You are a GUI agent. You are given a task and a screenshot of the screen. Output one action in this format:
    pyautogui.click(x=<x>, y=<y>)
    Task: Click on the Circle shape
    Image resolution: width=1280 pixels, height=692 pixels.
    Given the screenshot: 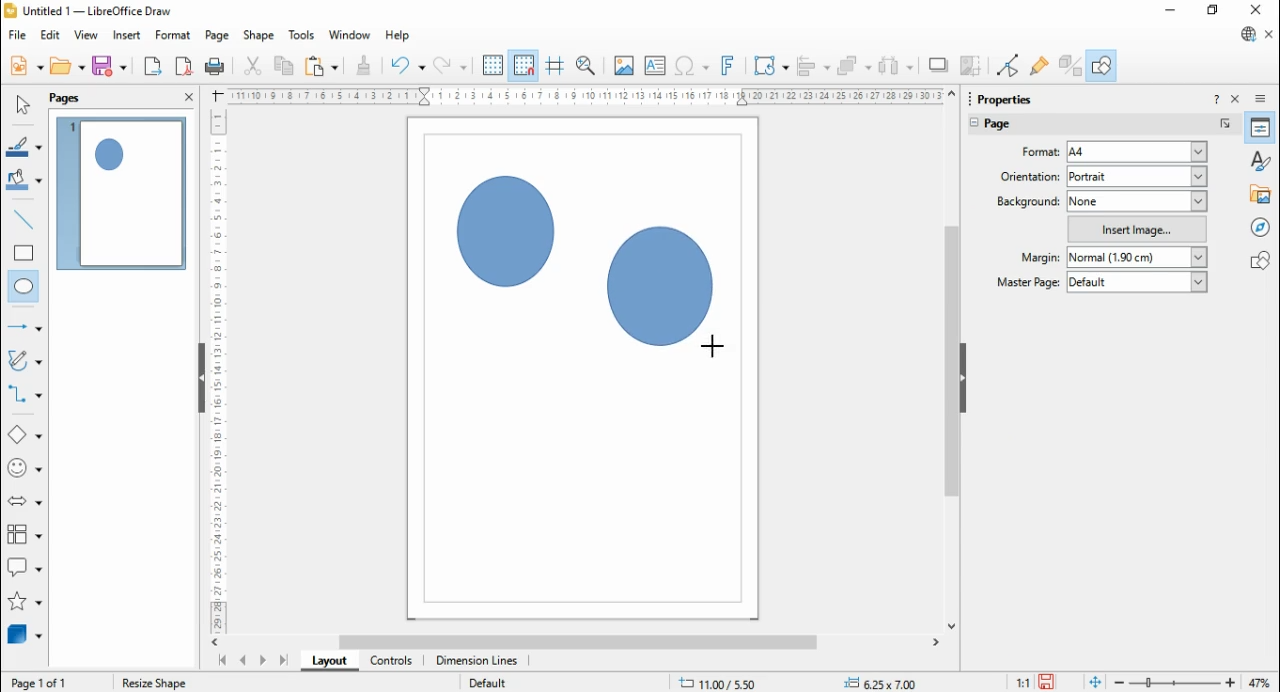 What is the action you would take?
    pyautogui.click(x=508, y=236)
    